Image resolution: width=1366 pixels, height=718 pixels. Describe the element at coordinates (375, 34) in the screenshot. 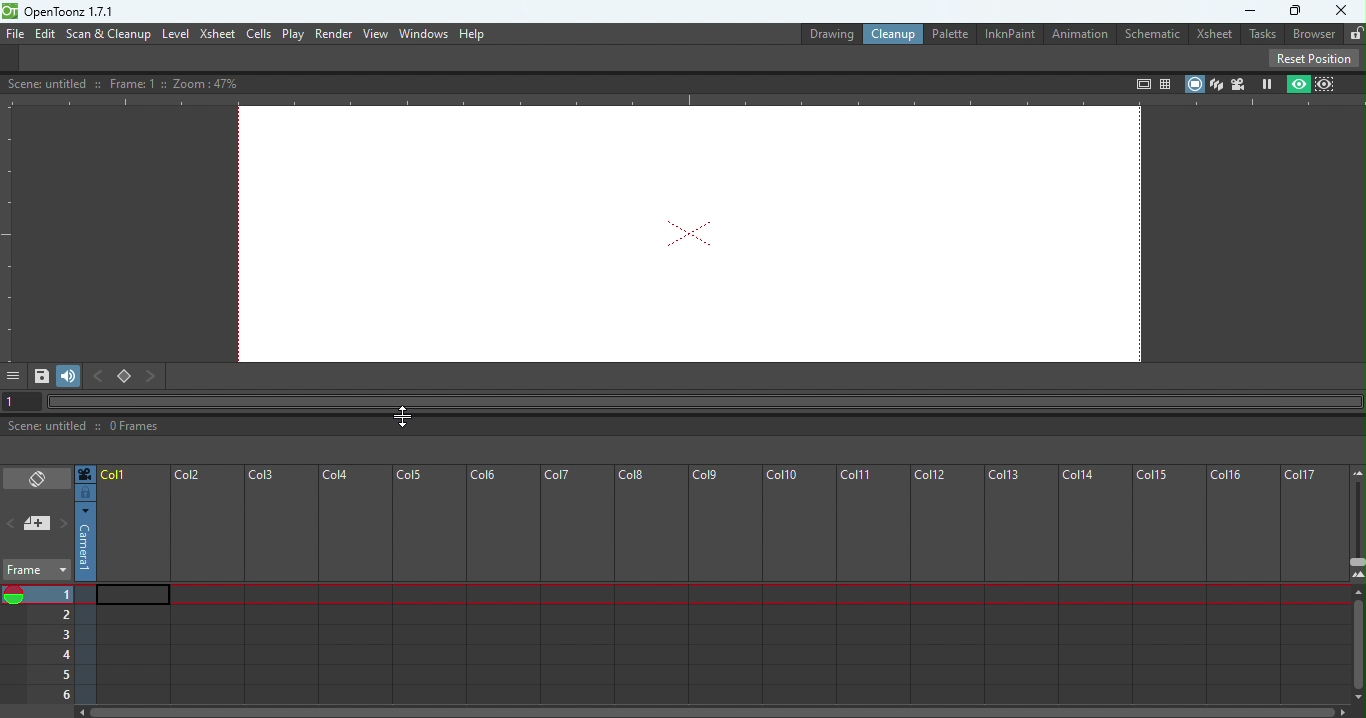

I see `View` at that location.